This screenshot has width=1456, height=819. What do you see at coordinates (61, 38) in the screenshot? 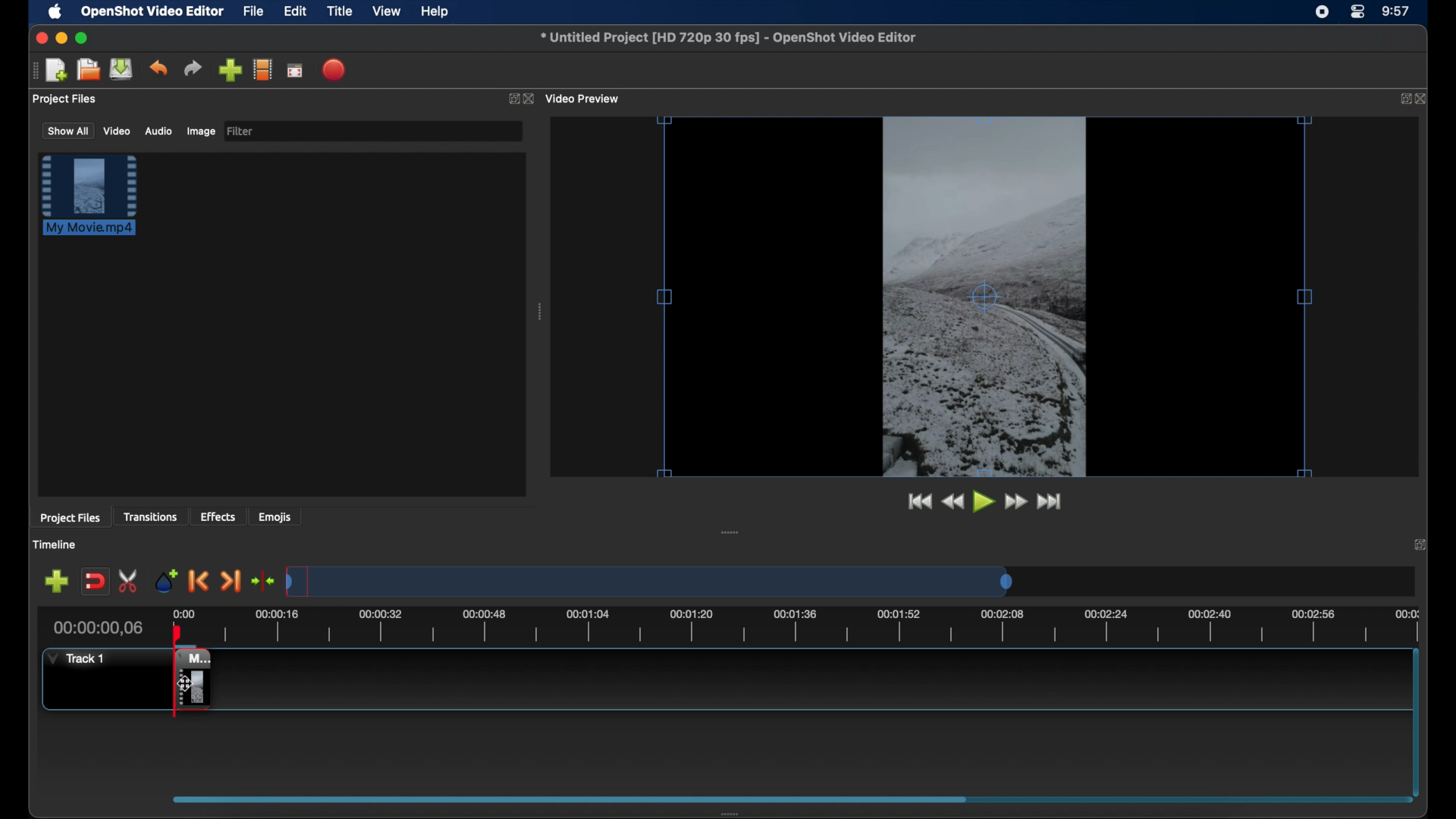
I see `minimize` at bounding box center [61, 38].